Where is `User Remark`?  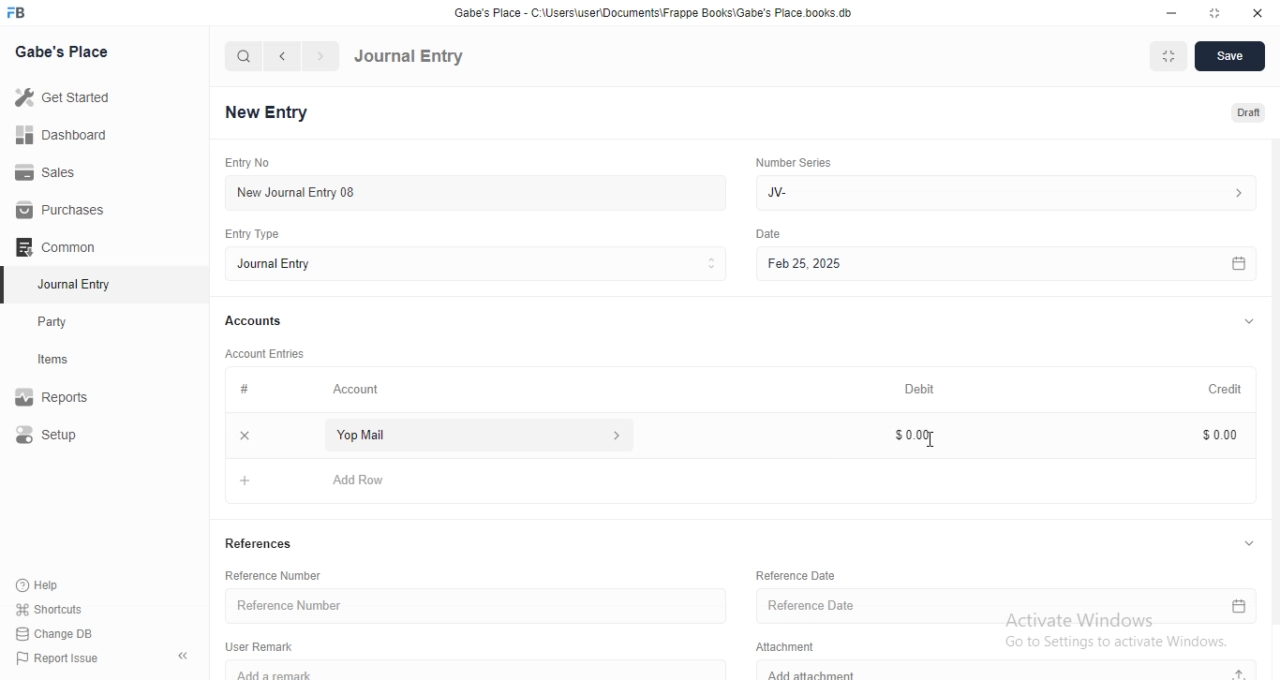 User Remark is located at coordinates (259, 646).